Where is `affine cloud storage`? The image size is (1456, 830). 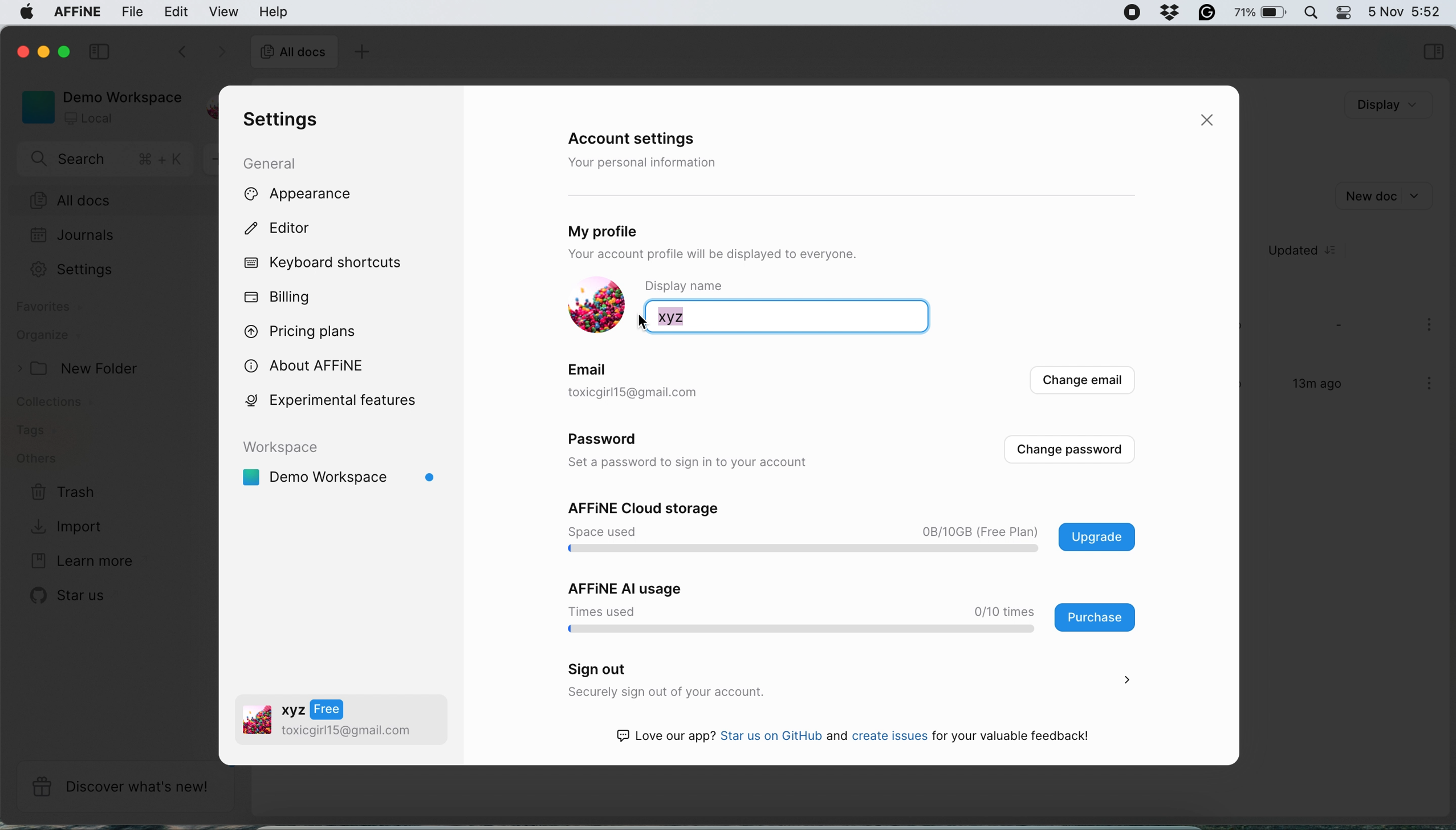 affine cloud storage is located at coordinates (856, 529).